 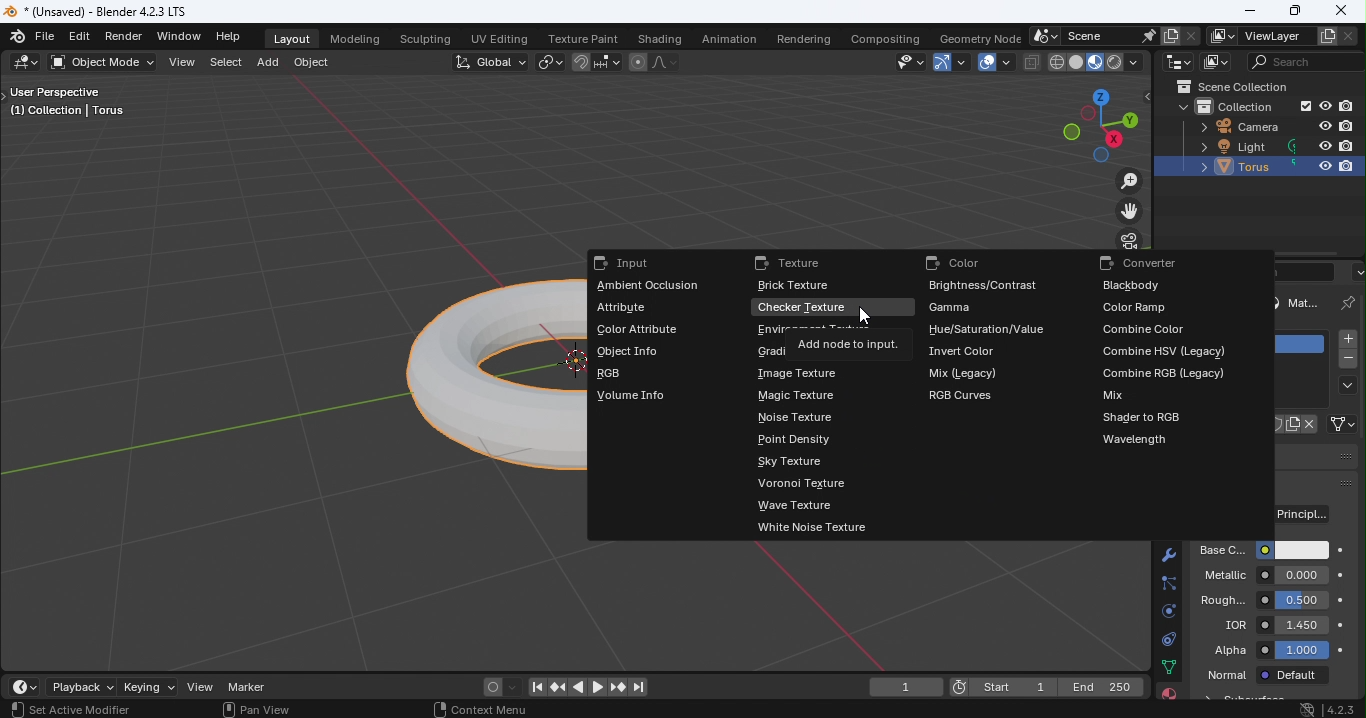 I want to click on Proportional editing objects, so click(x=638, y=63).